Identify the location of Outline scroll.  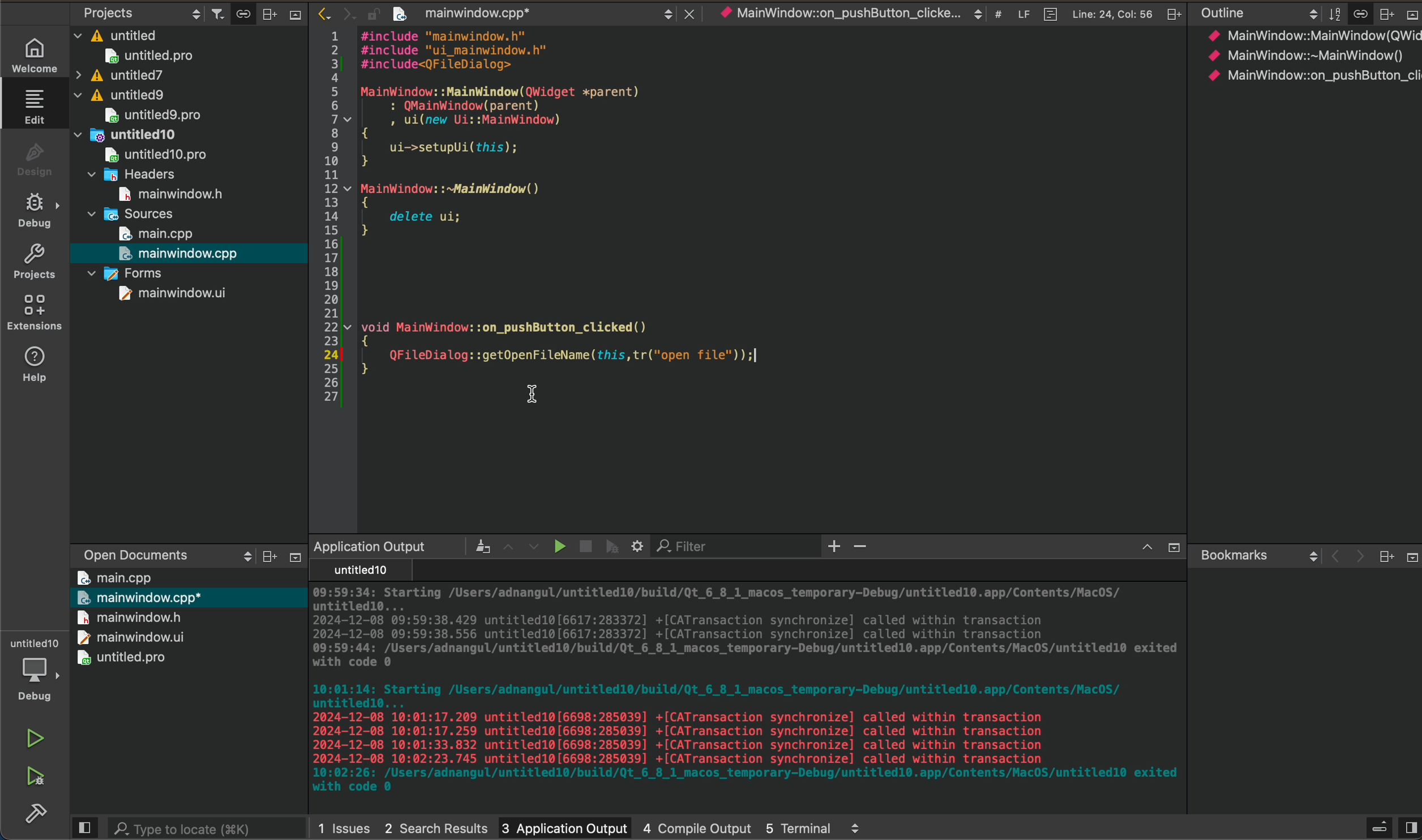
(1257, 14).